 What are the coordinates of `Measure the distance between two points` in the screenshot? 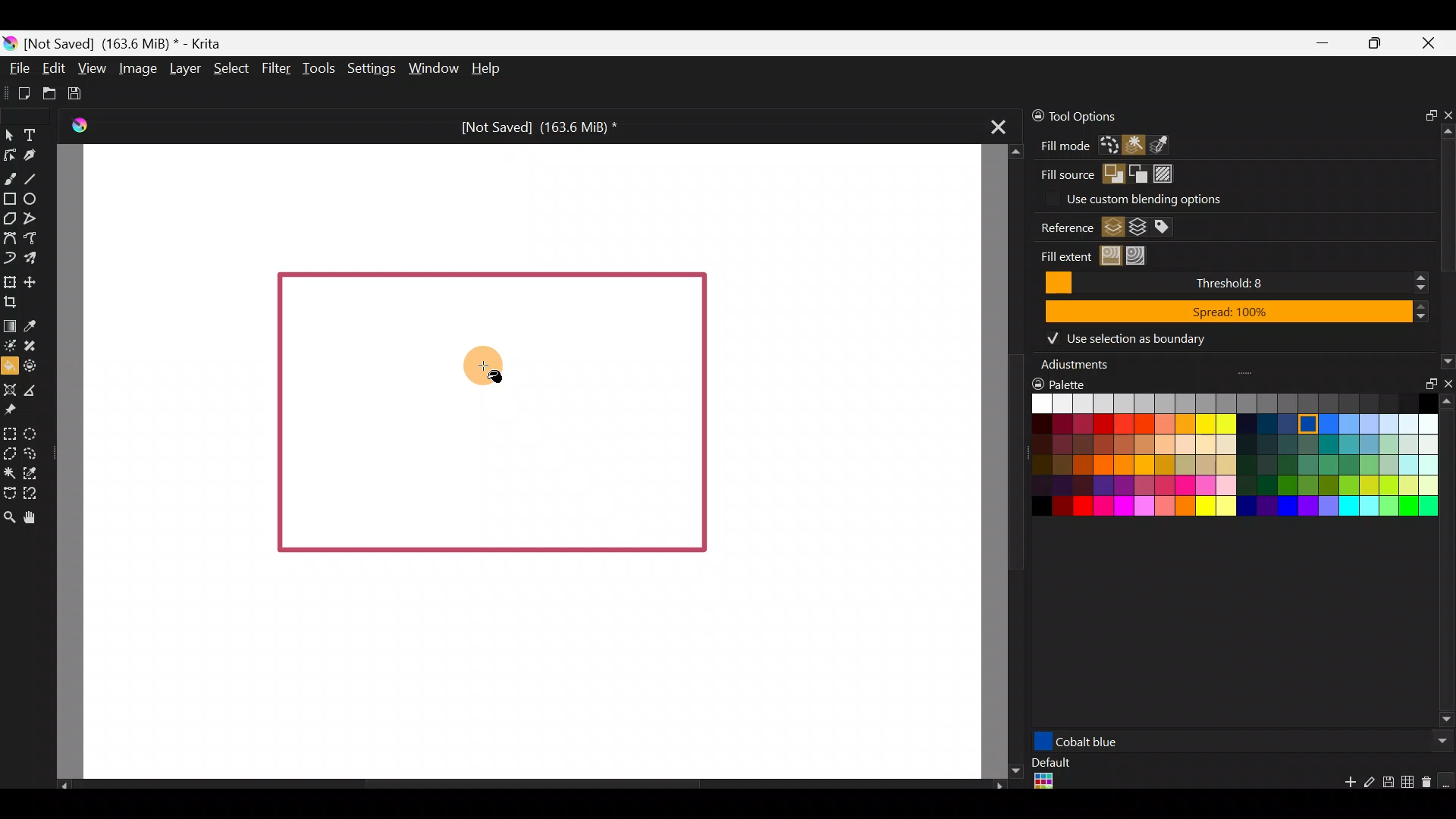 It's located at (39, 391).